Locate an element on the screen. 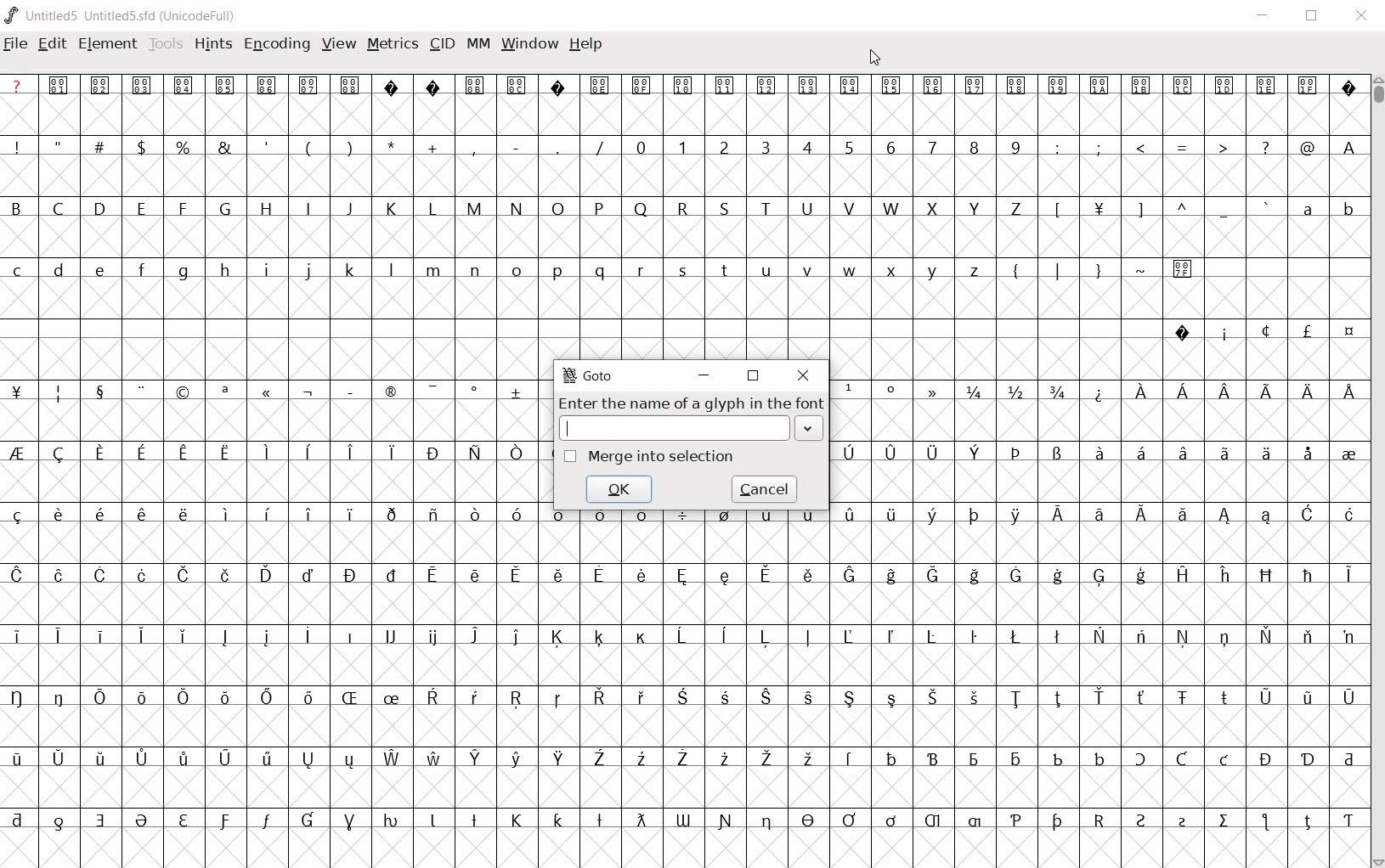 This screenshot has width=1385, height=868. Symbol is located at coordinates (1307, 453).